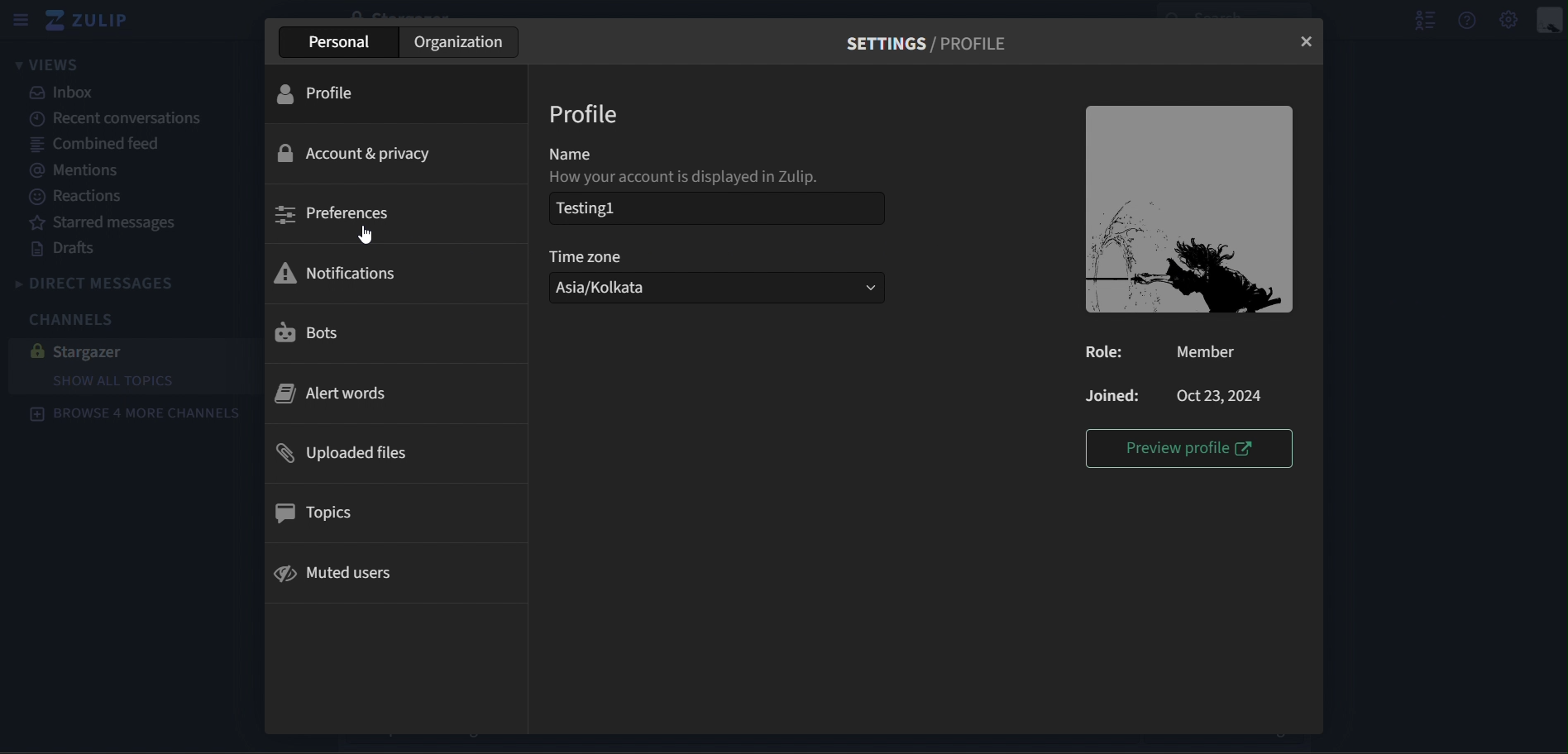 The image size is (1568, 754). Describe the element at coordinates (1469, 19) in the screenshot. I see `get help` at that location.